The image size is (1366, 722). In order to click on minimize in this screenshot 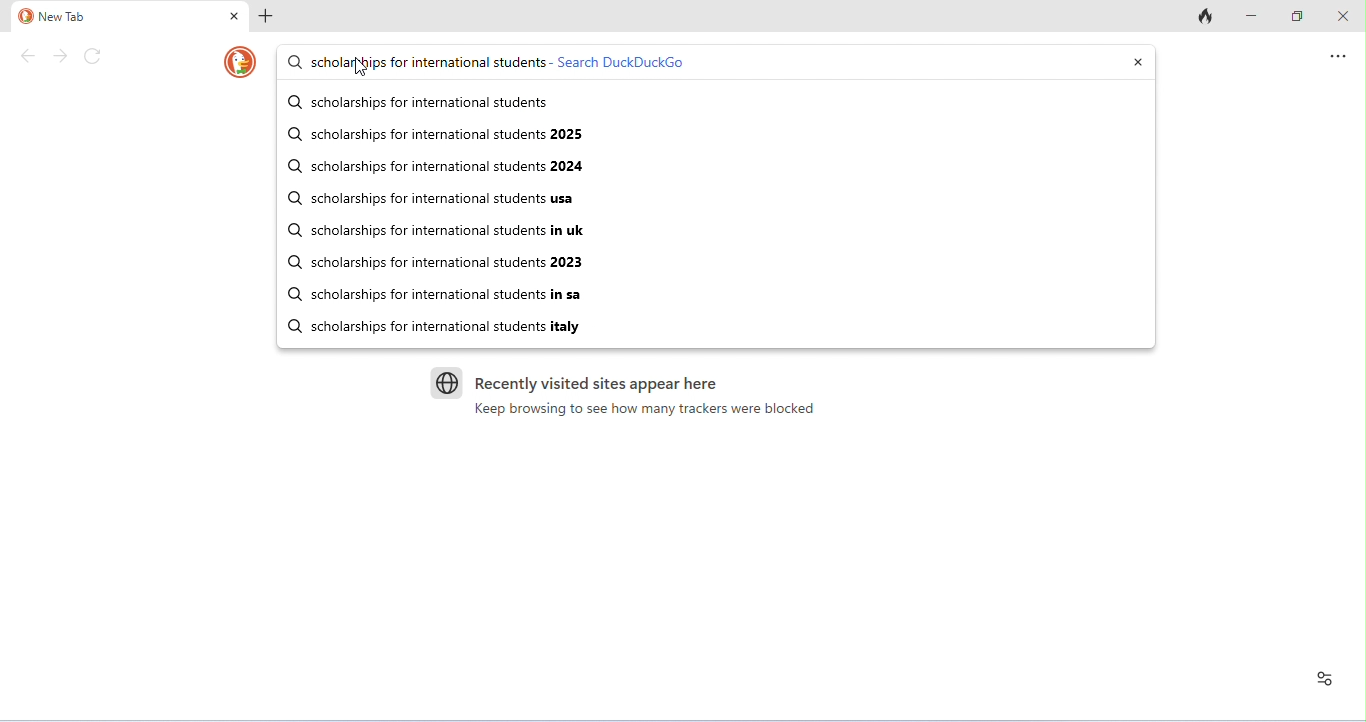, I will do `click(1256, 14)`.